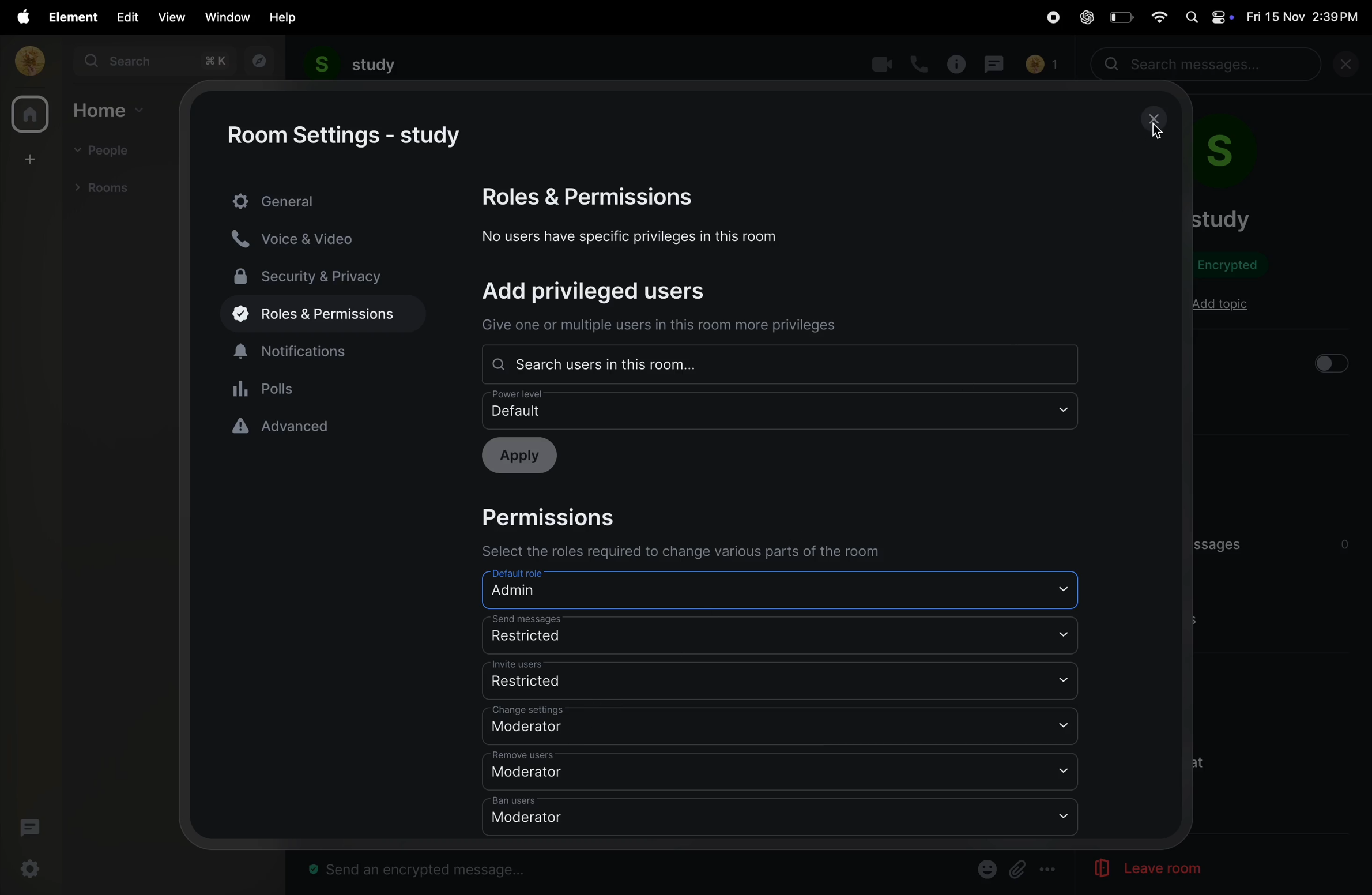 Image resolution: width=1372 pixels, height=895 pixels. What do you see at coordinates (785, 766) in the screenshot?
I see `remove users` at bounding box center [785, 766].